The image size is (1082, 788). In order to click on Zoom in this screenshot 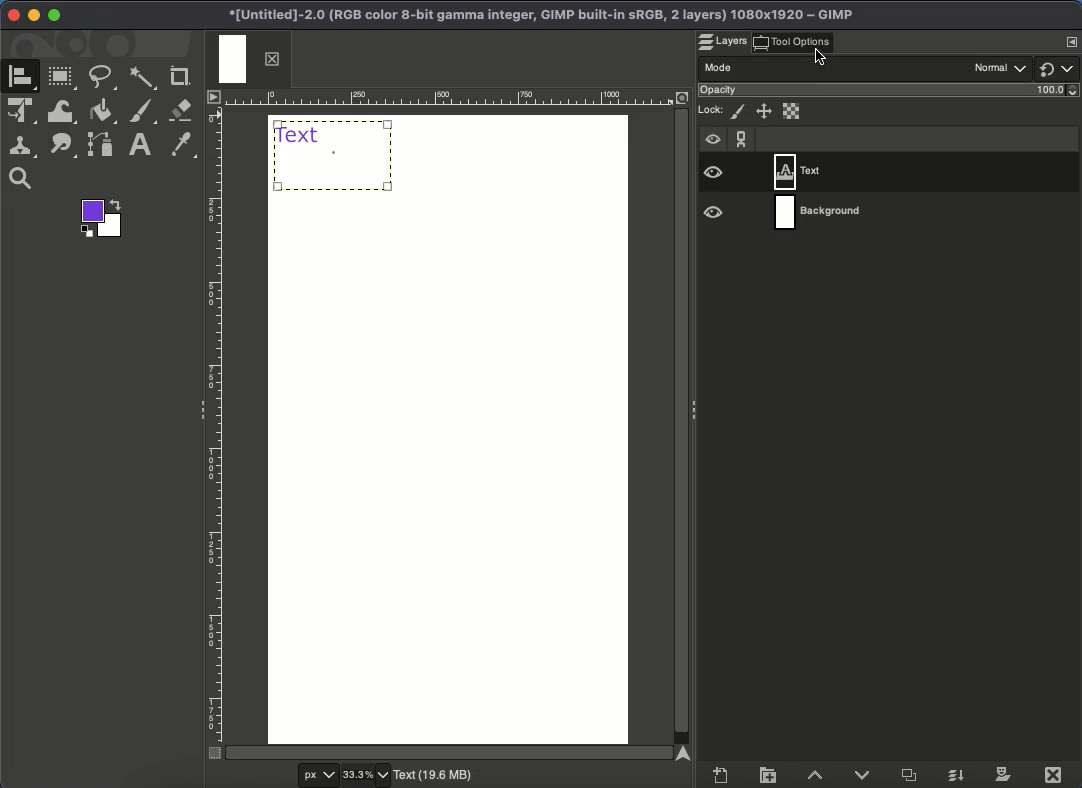, I will do `click(25, 179)`.